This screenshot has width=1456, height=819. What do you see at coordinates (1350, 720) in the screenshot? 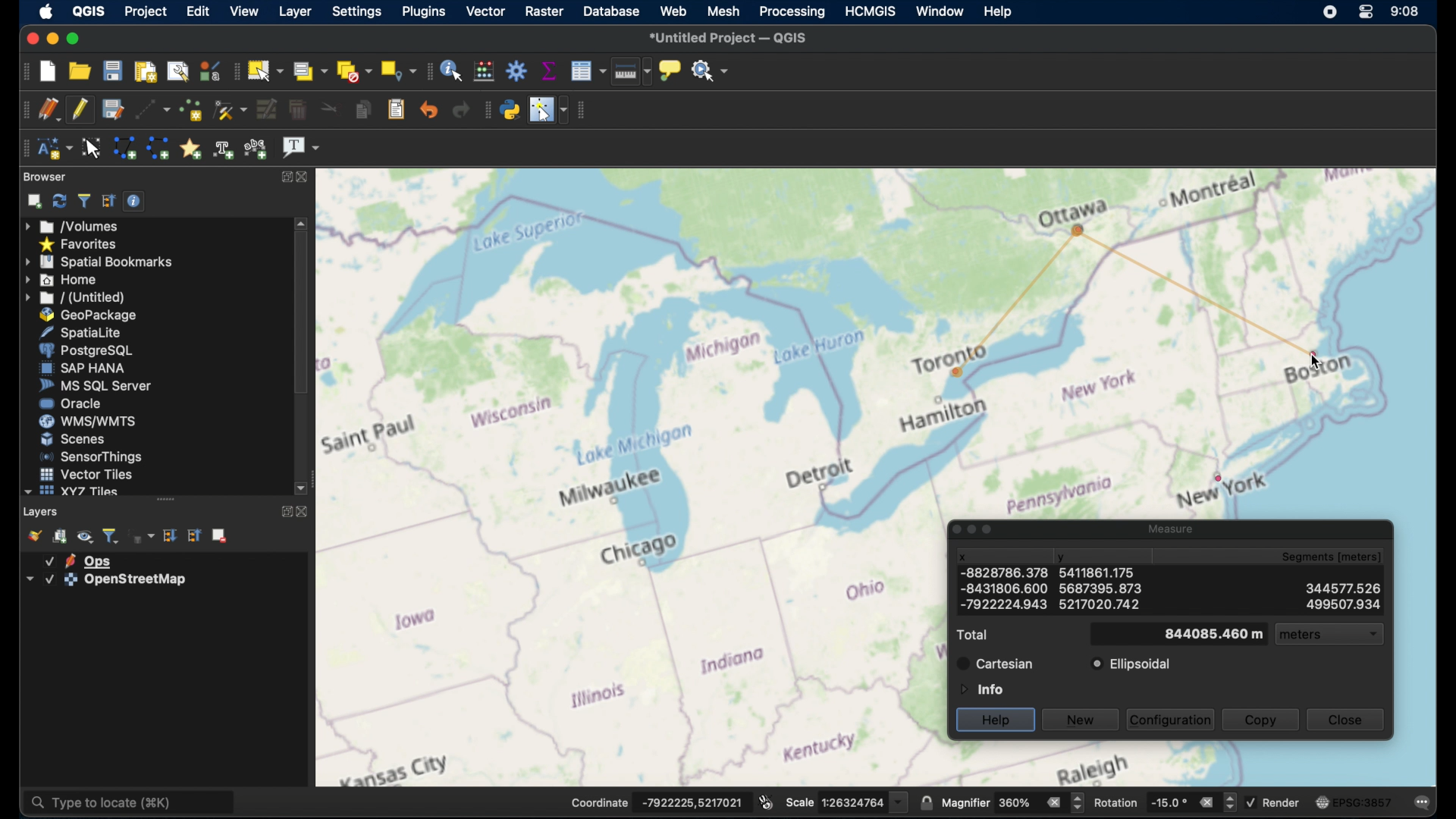
I see `close` at bounding box center [1350, 720].